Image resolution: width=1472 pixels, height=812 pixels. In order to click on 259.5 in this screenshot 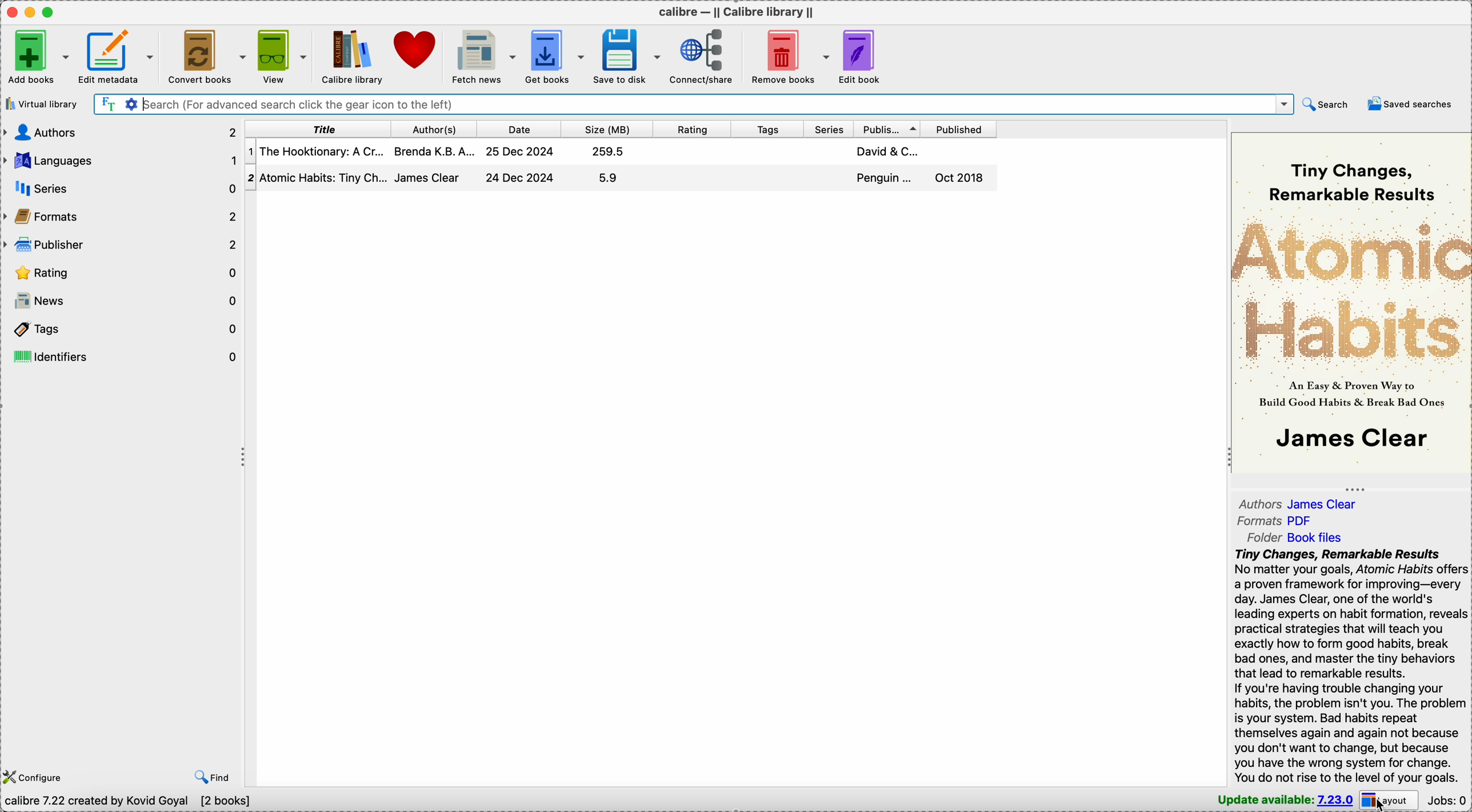, I will do `click(609, 151)`.